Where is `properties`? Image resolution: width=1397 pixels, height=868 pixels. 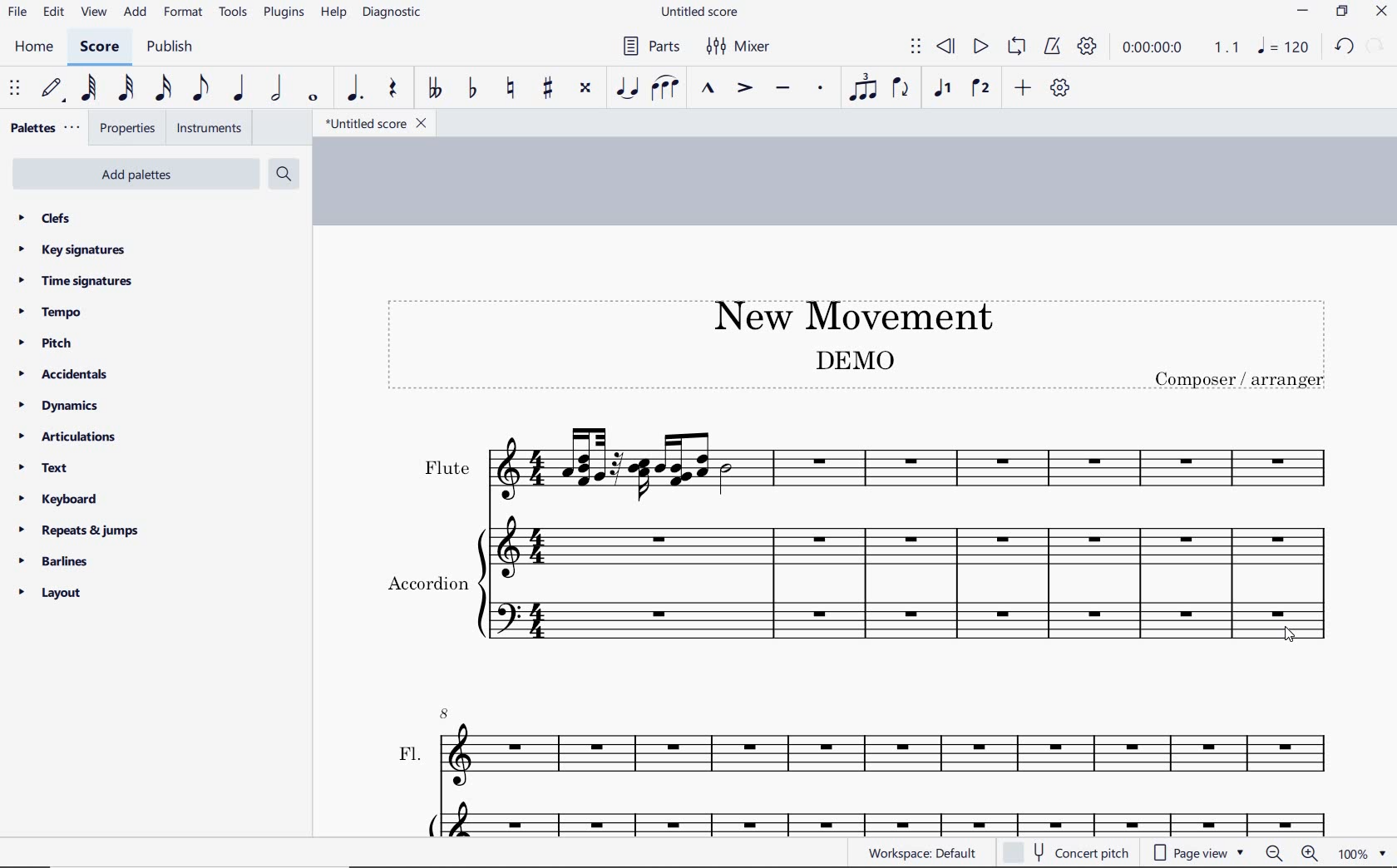
properties is located at coordinates (129, 130).